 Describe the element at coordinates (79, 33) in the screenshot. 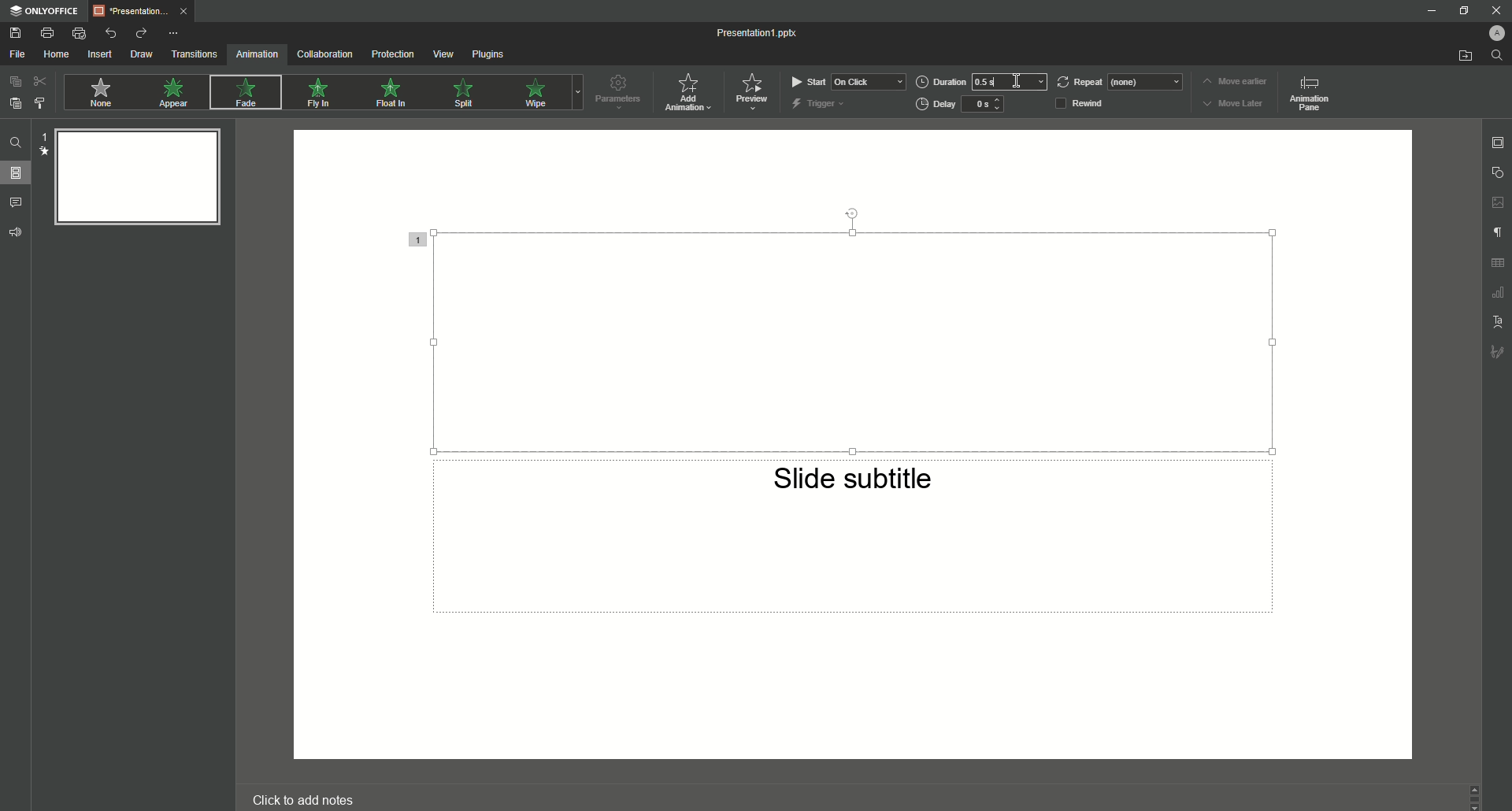

I see `Quick Print` at that location.